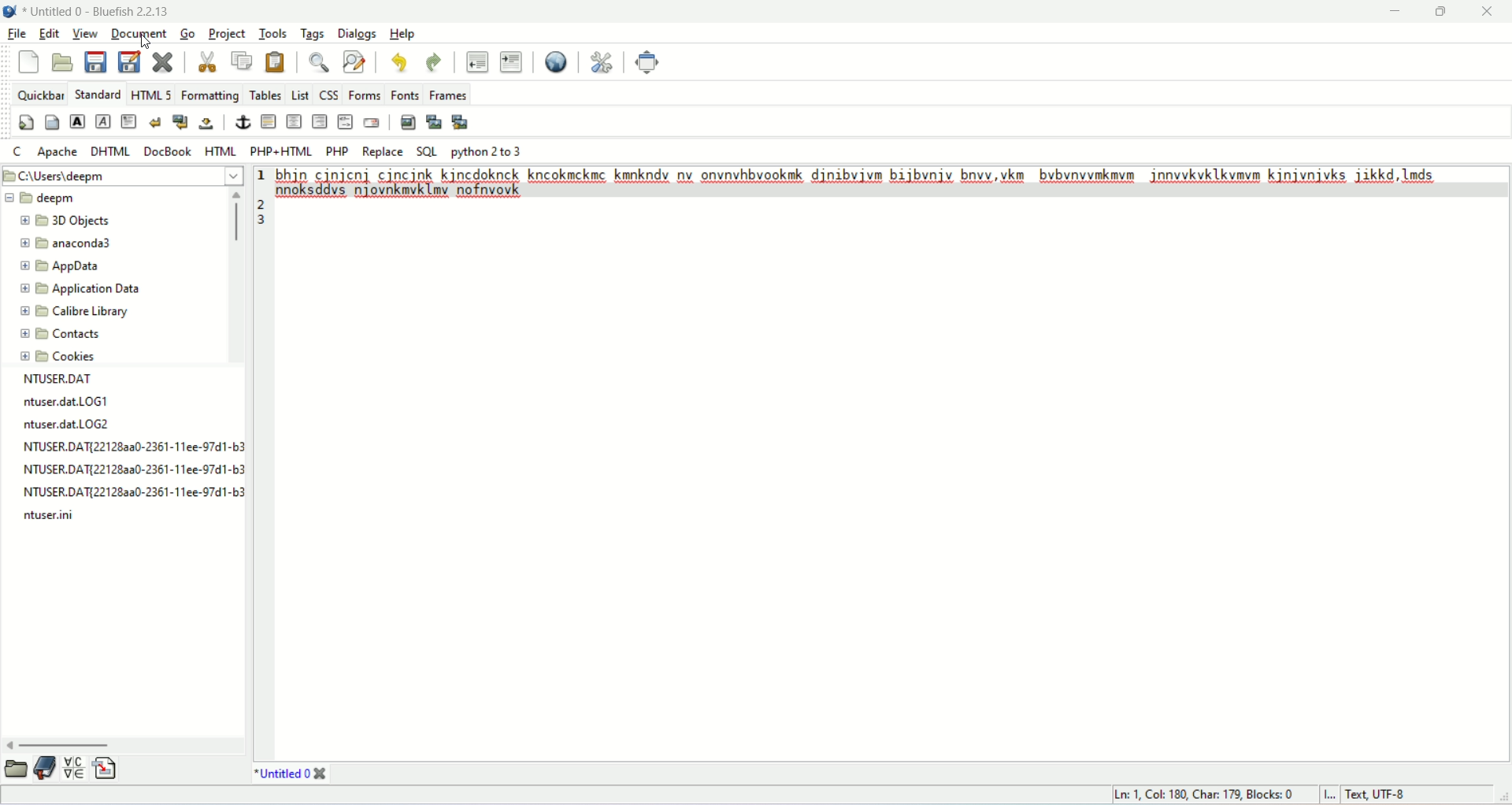  I want to click on tags, so click(313, 32).